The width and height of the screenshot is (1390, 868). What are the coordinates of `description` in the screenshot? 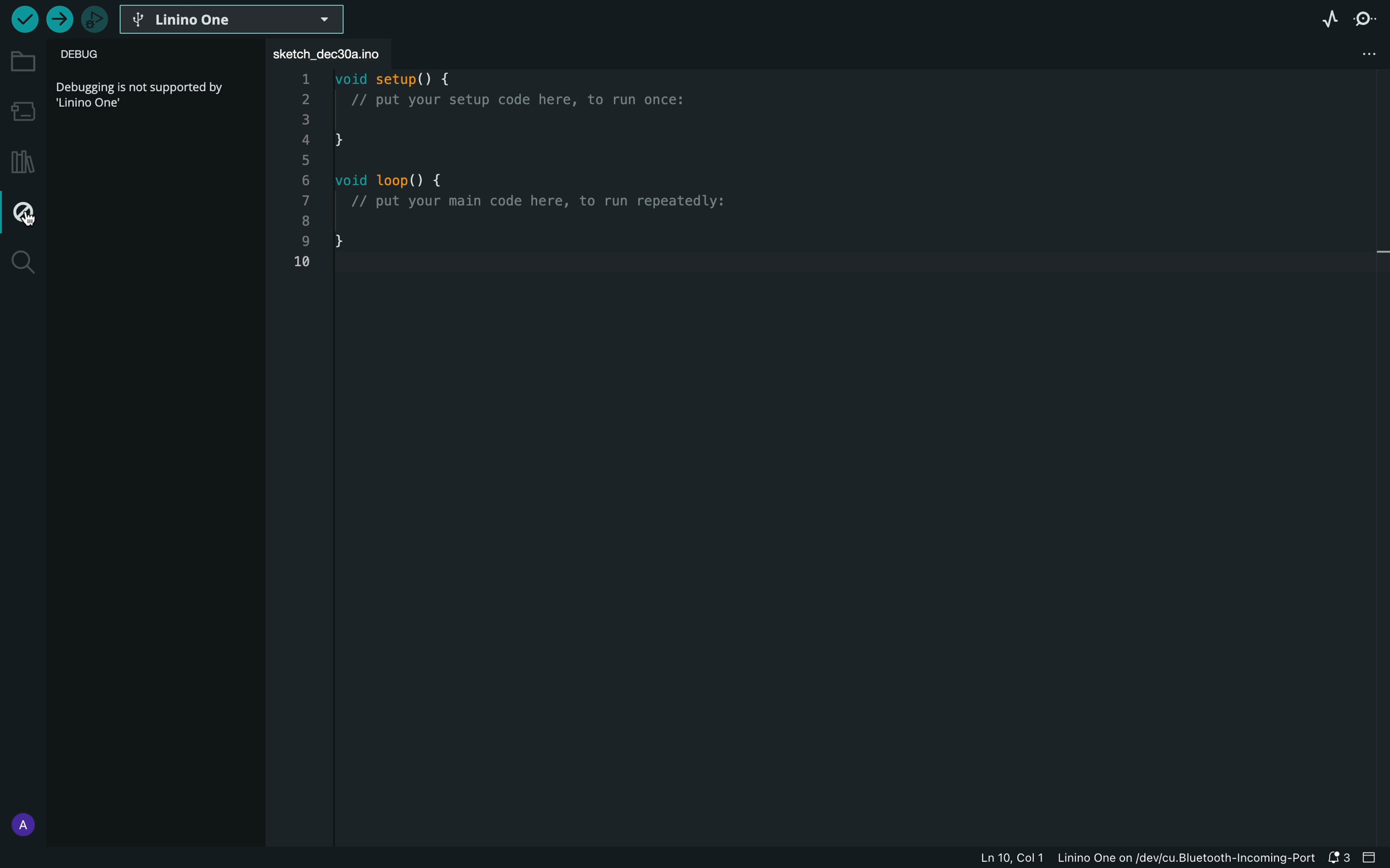 It's located at (150, 98).